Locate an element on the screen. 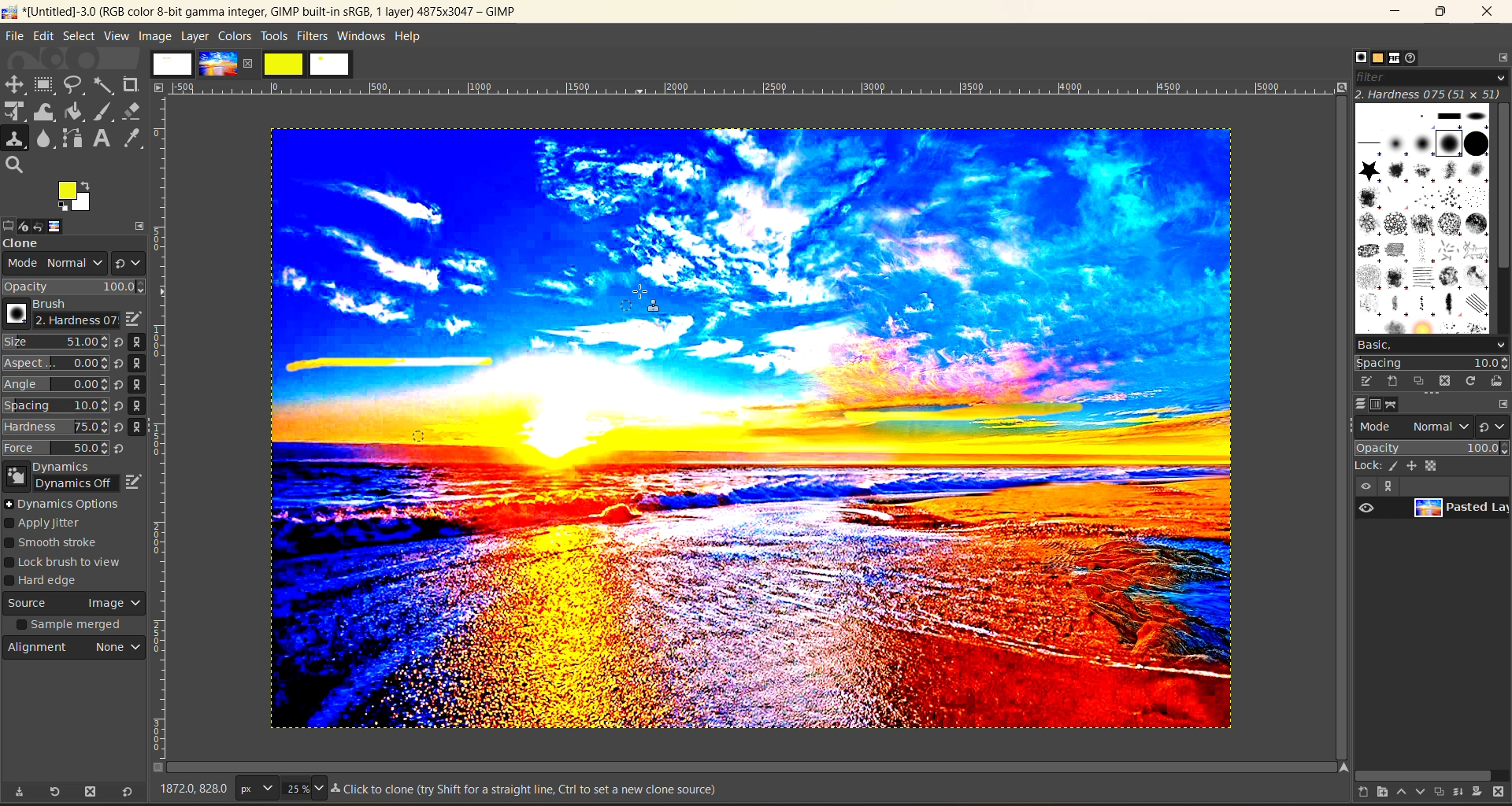 The height and width of the screenshot is (806, 1512). filters is located at coordinates (314, 35).